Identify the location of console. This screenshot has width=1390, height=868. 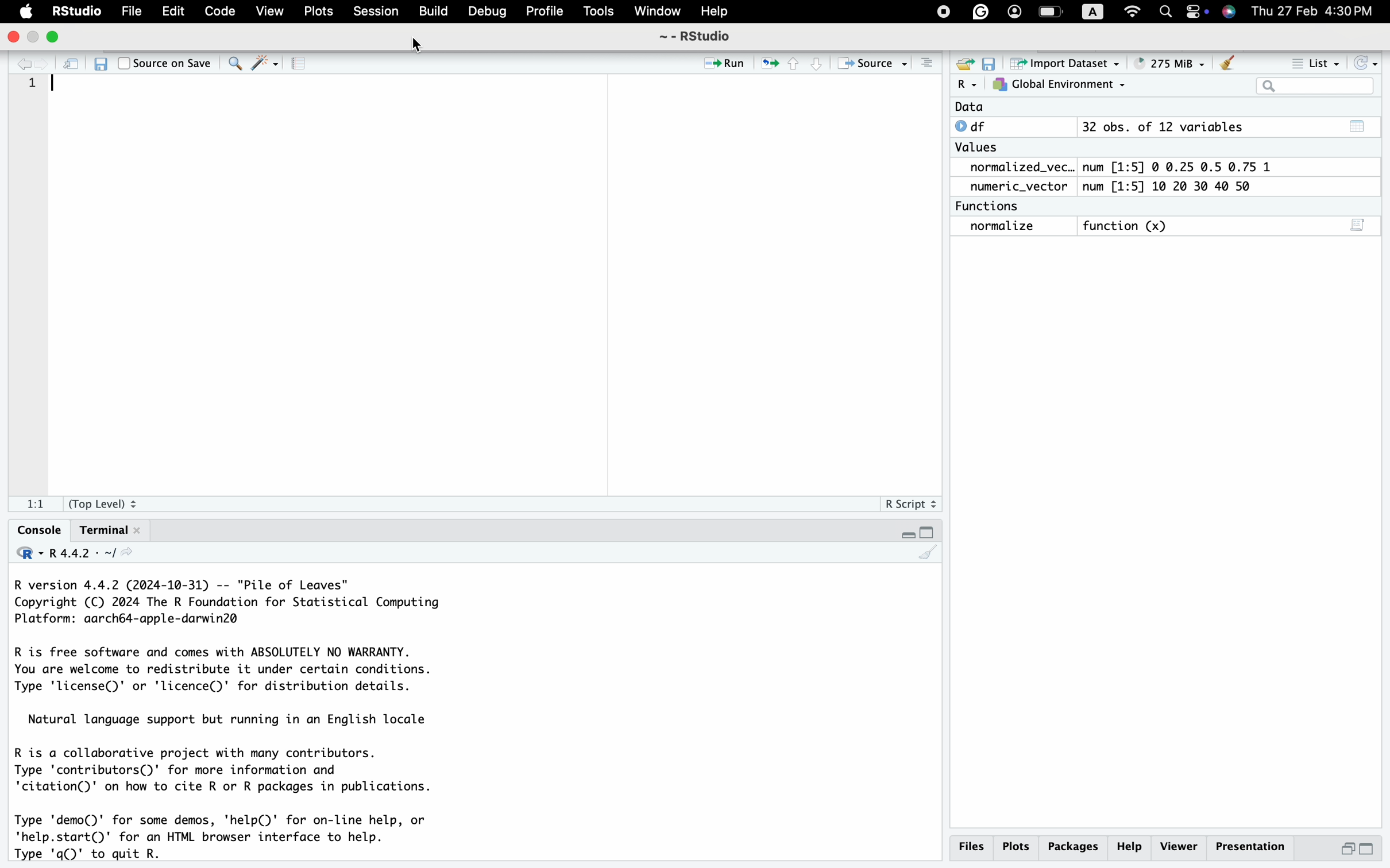
(31, 530).